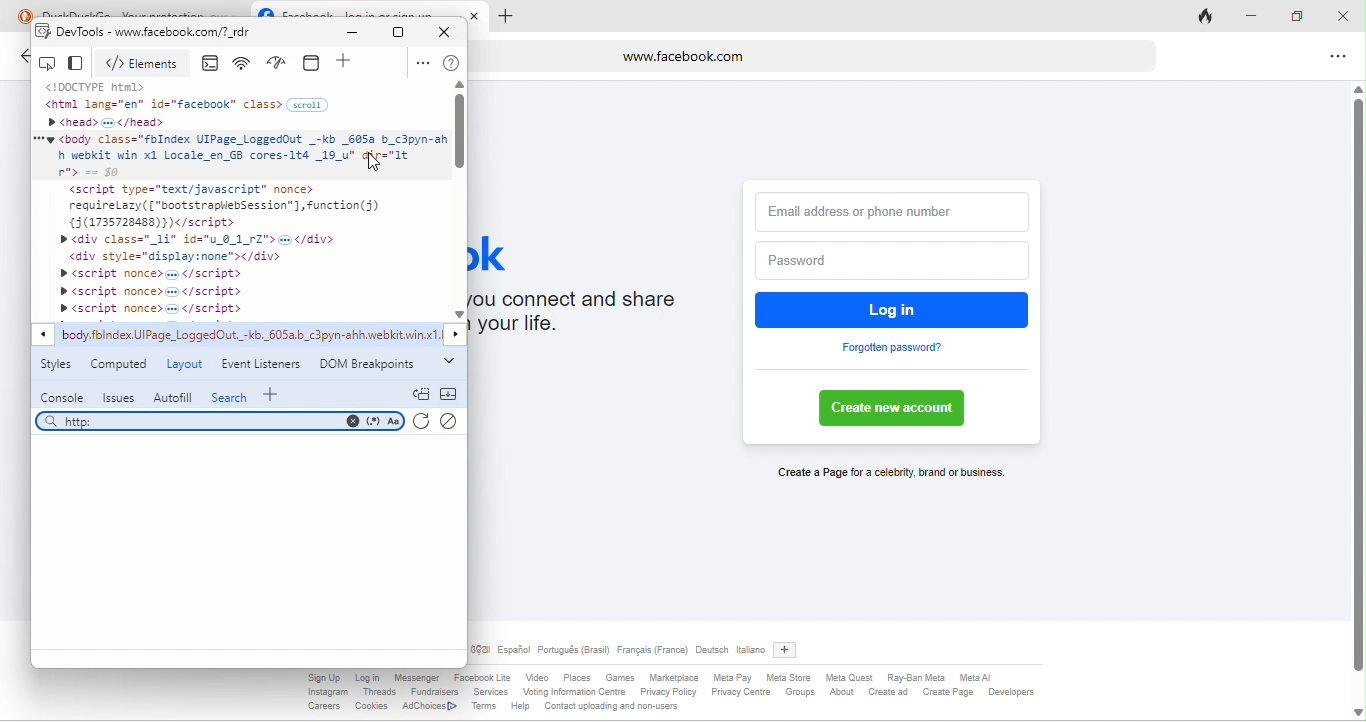 The height and width of the screenshot is (722, 1366). I want to click on scroll down, so click(459, 314).